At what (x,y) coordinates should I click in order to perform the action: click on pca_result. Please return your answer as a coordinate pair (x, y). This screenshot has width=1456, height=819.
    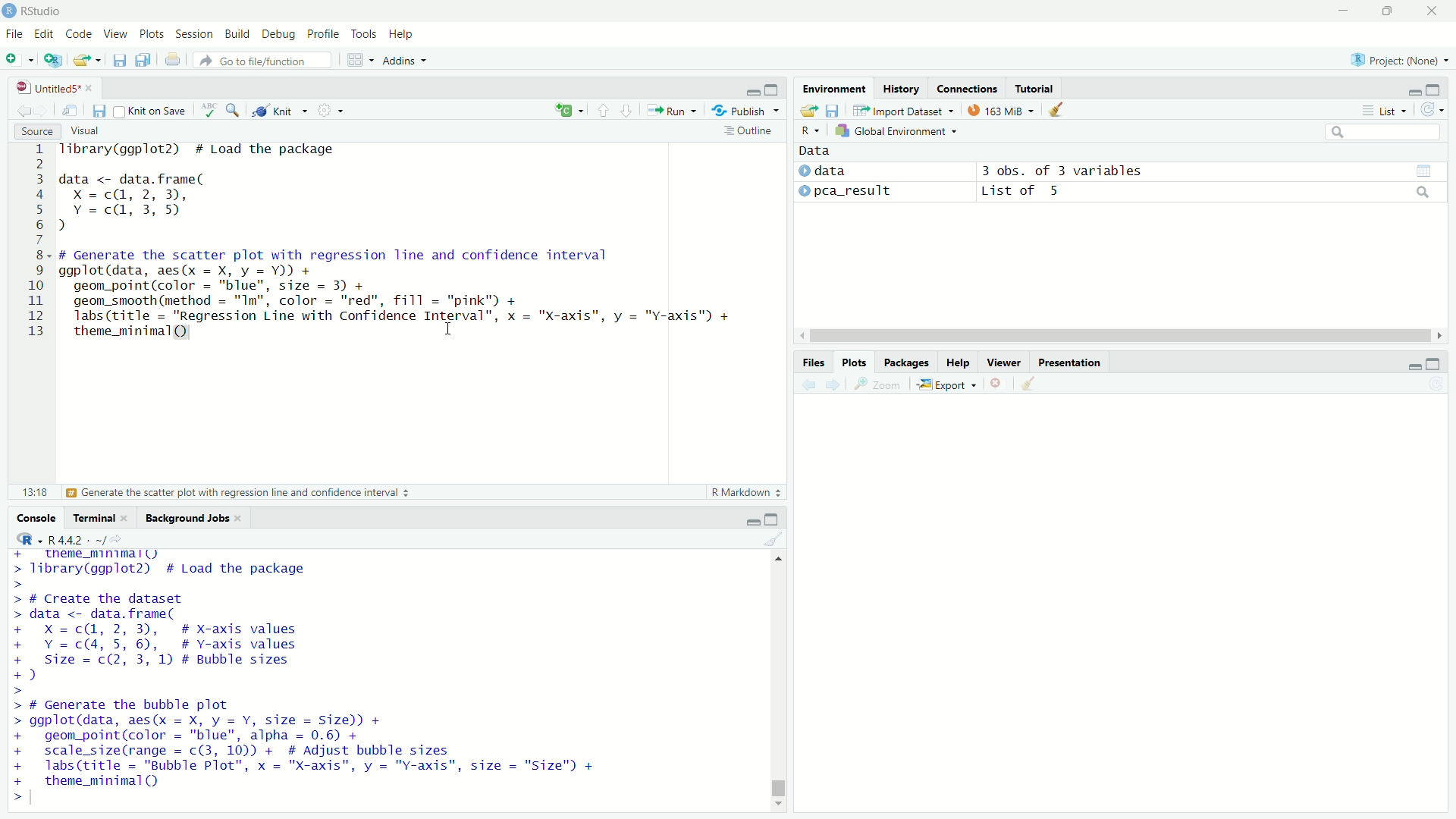
    Looking at the image, I should click on (855, 191).